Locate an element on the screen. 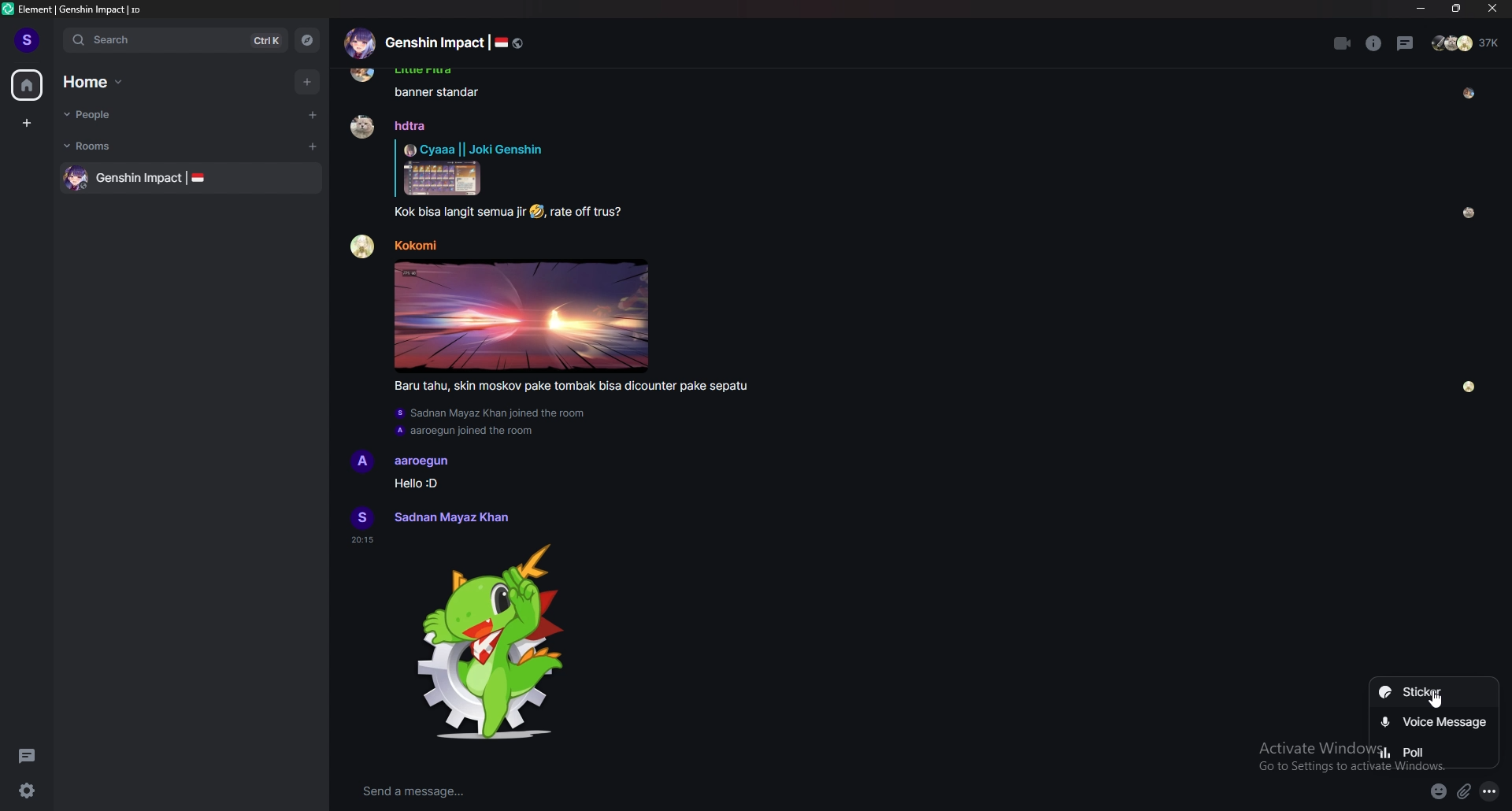 Image resolution: width=1512 pixels, height=811 pixels. poll is located at coordinates (1434, 752).